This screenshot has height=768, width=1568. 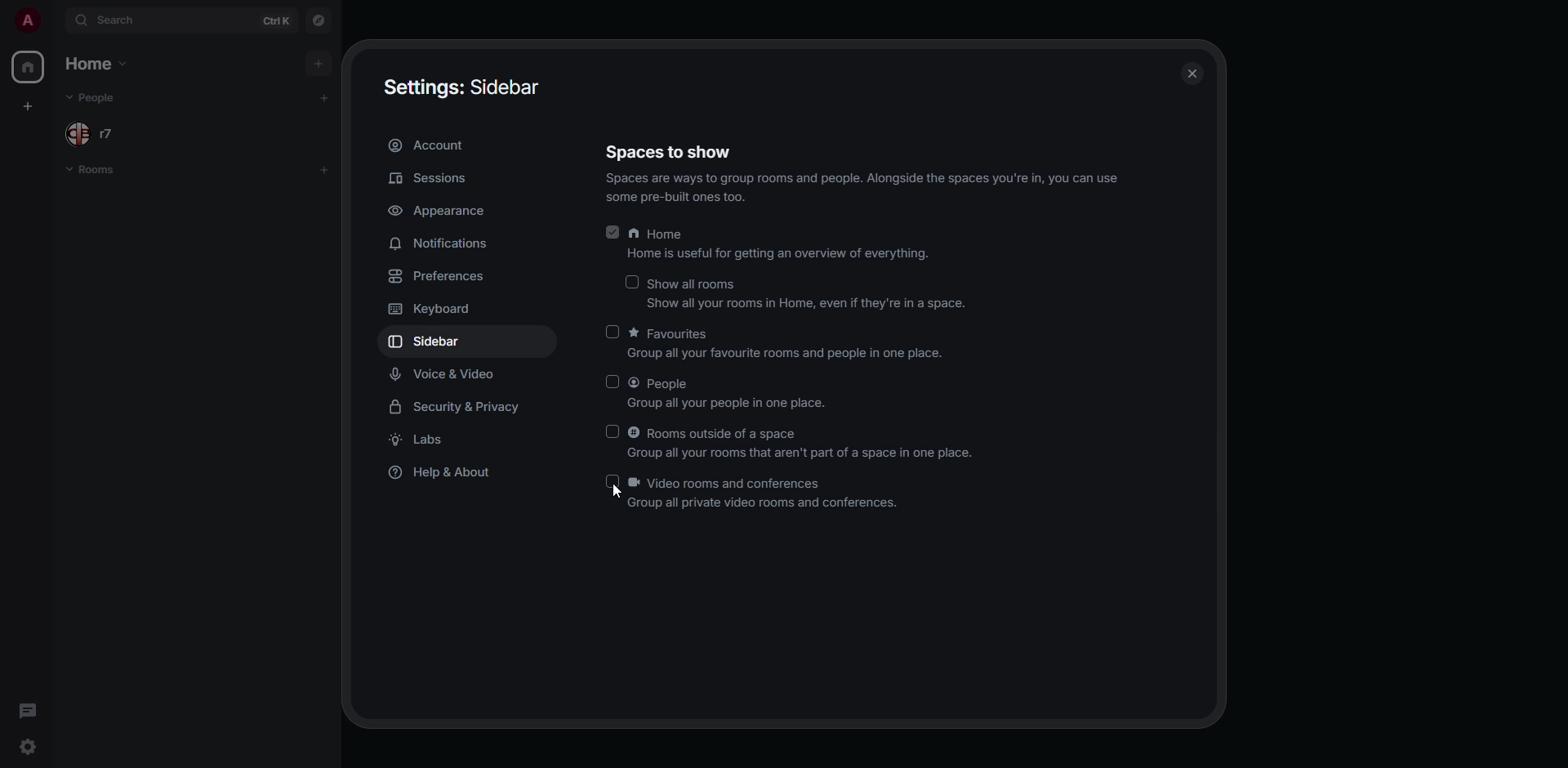 What do you see at coordinates (436, 243) in the screenshot?
I see `notifications` at bounding box center [436, 243].